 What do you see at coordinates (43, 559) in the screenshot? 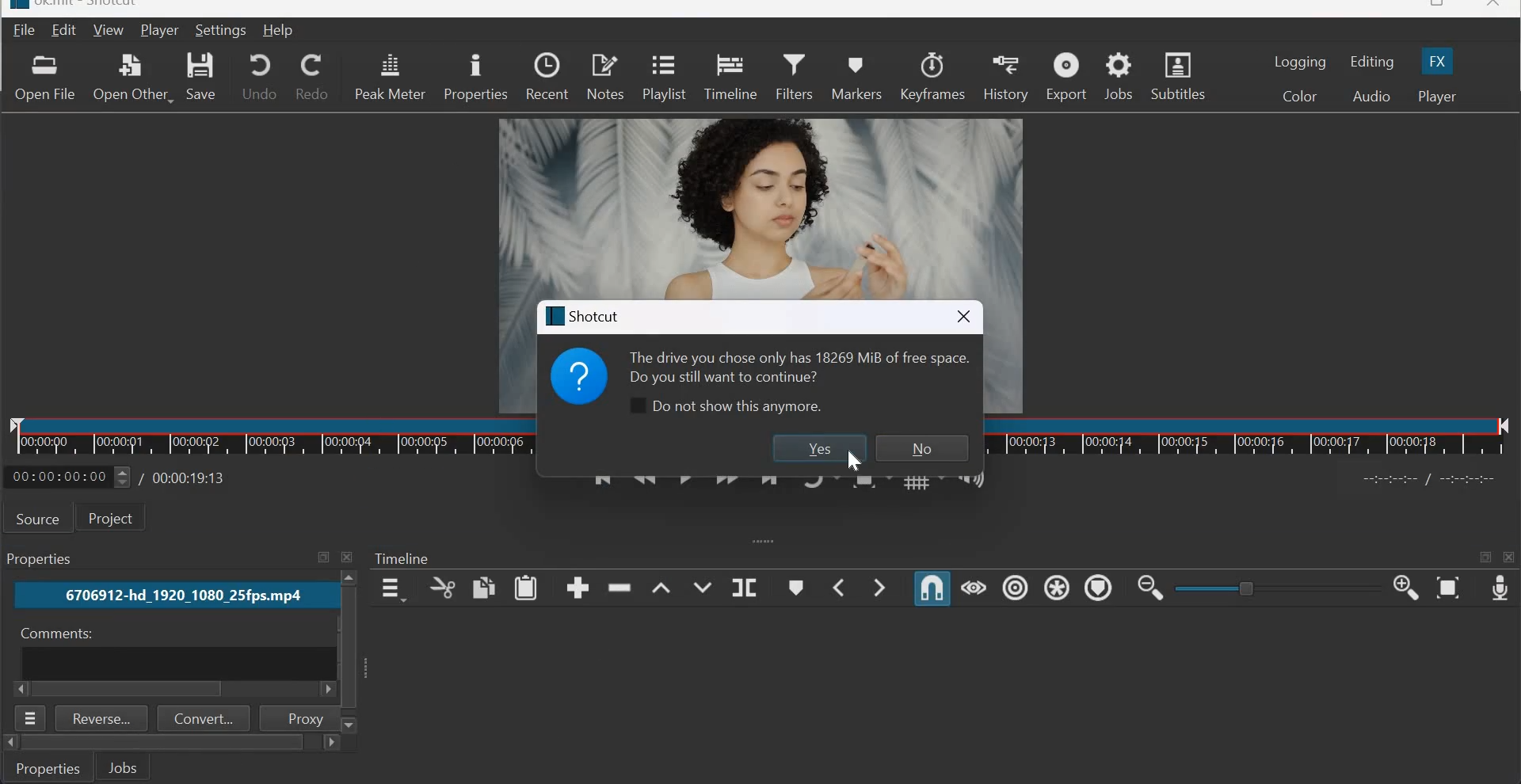
I see `Jobs` at bounding box center [43, 559].